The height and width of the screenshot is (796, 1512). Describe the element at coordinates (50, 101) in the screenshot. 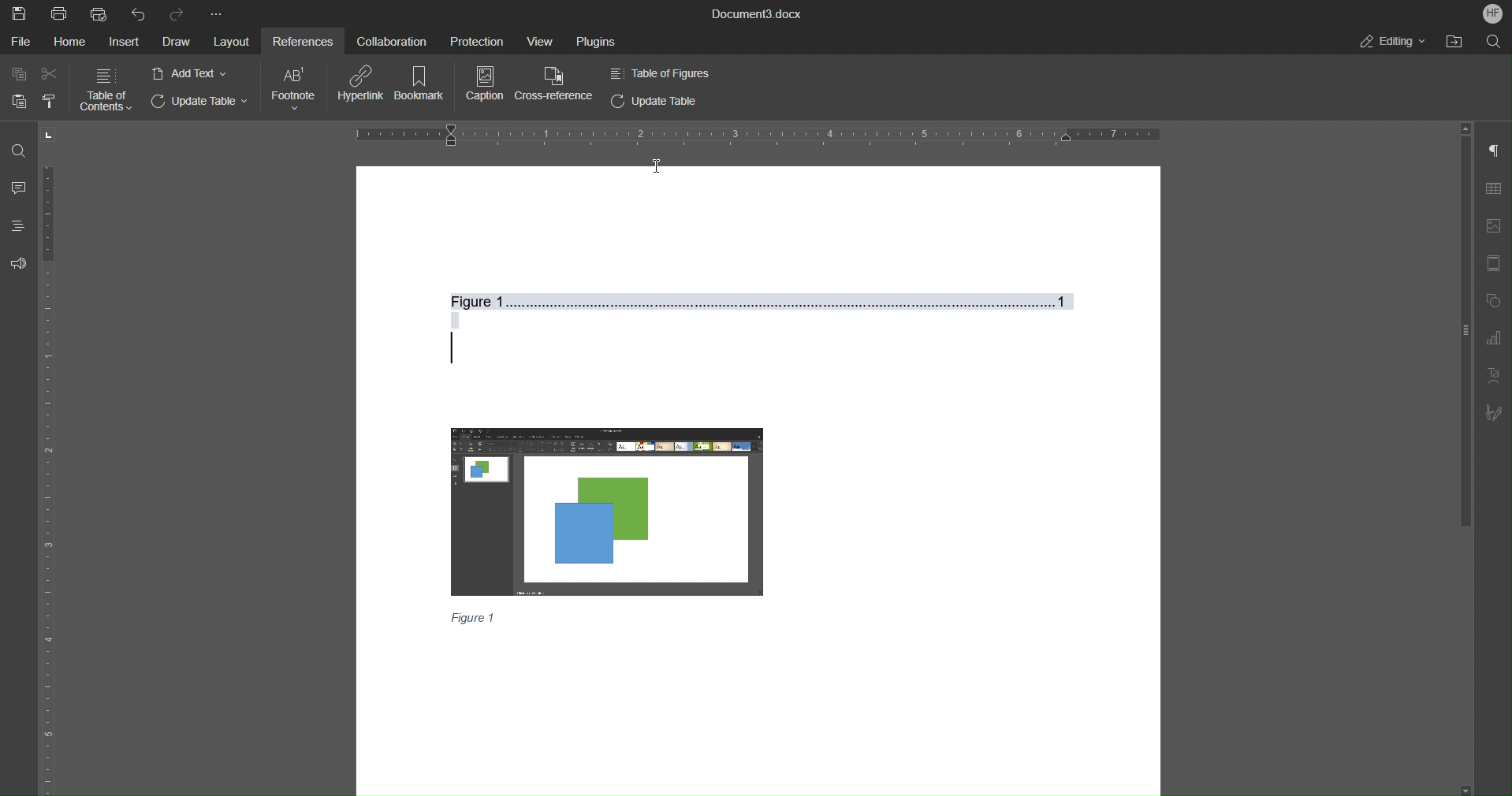

I see `Copy Style` at that location.